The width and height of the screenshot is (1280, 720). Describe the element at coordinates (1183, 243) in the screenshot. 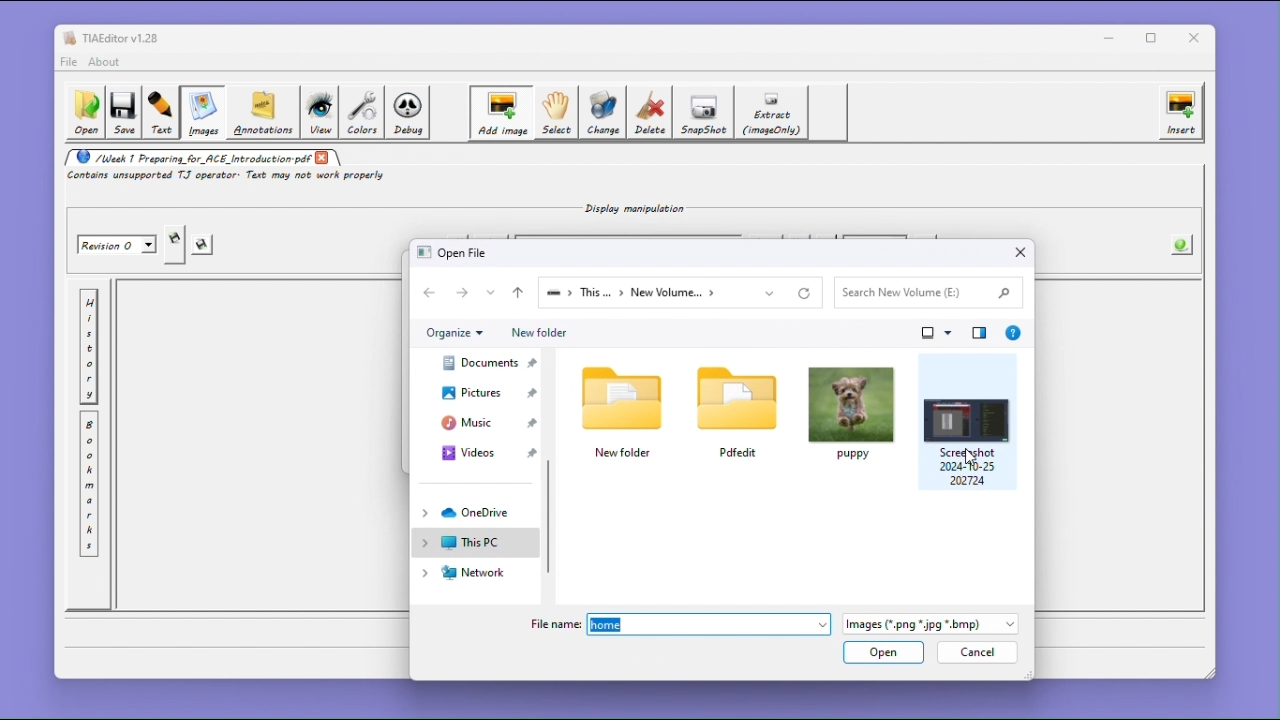

I see `The information About the PDF opened` at that location.